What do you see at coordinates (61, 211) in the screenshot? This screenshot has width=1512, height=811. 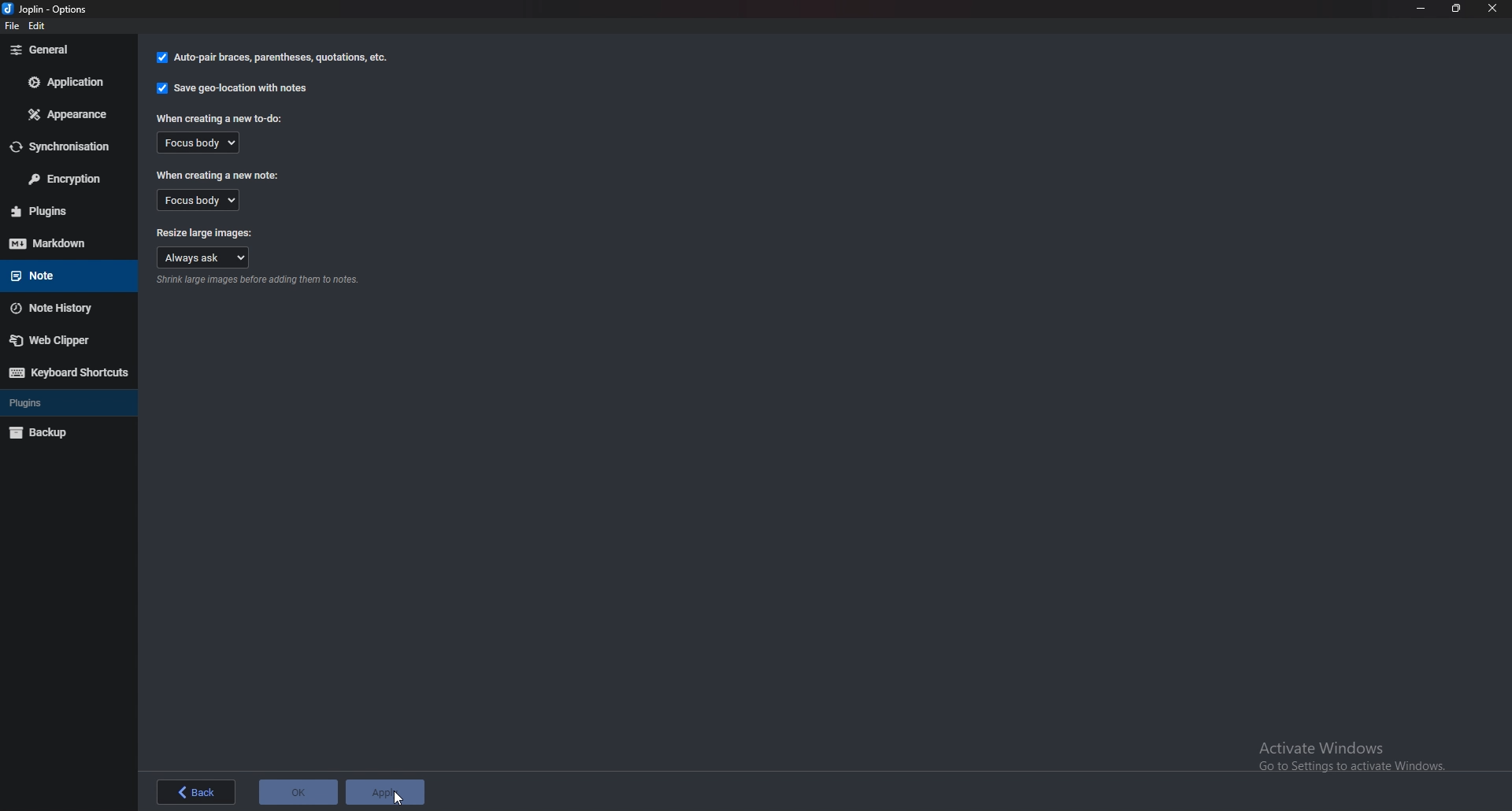 I see `Plugins` at bounding box center [61, 211].